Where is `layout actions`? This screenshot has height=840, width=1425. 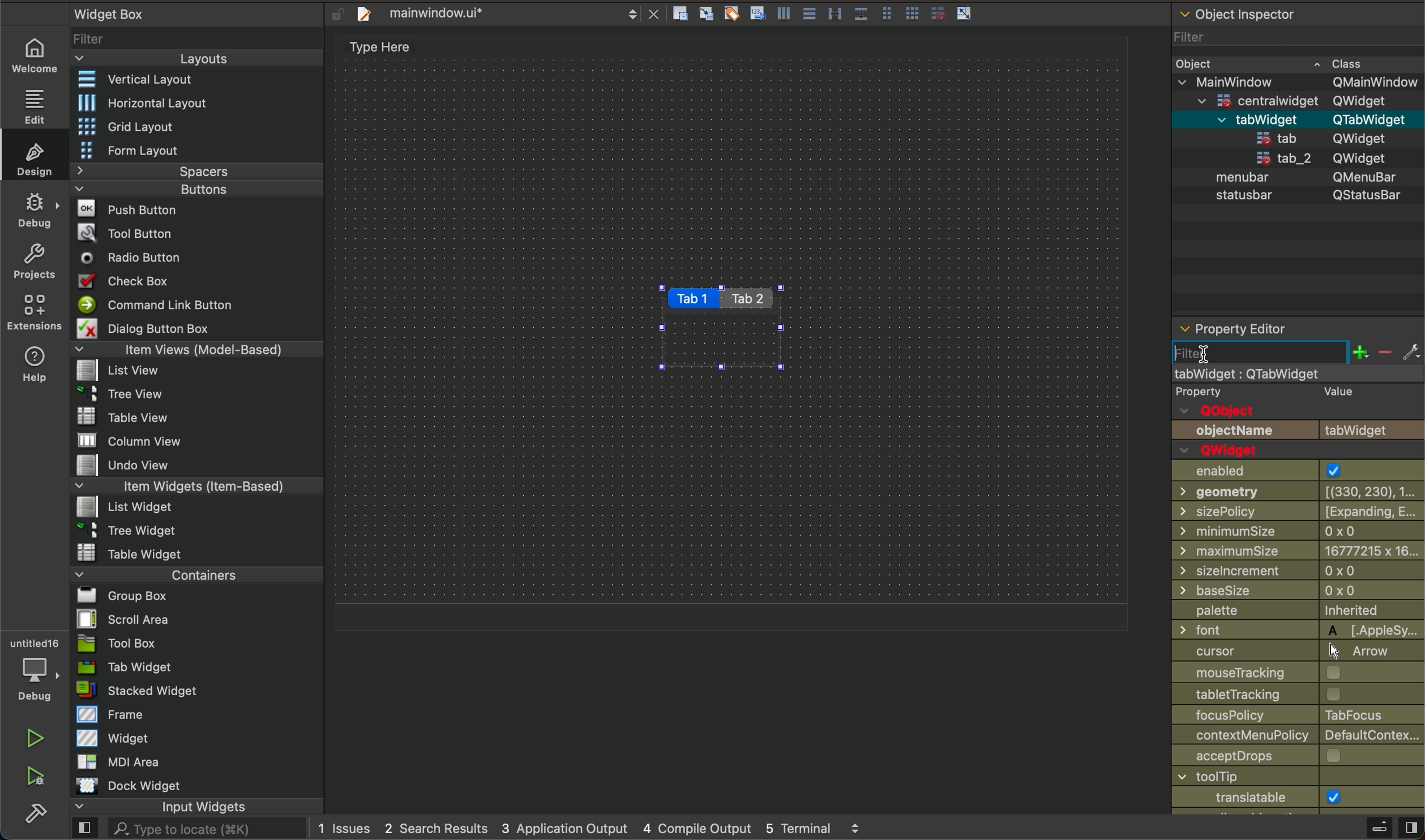 layout actions is located at coordinates (872, 12).